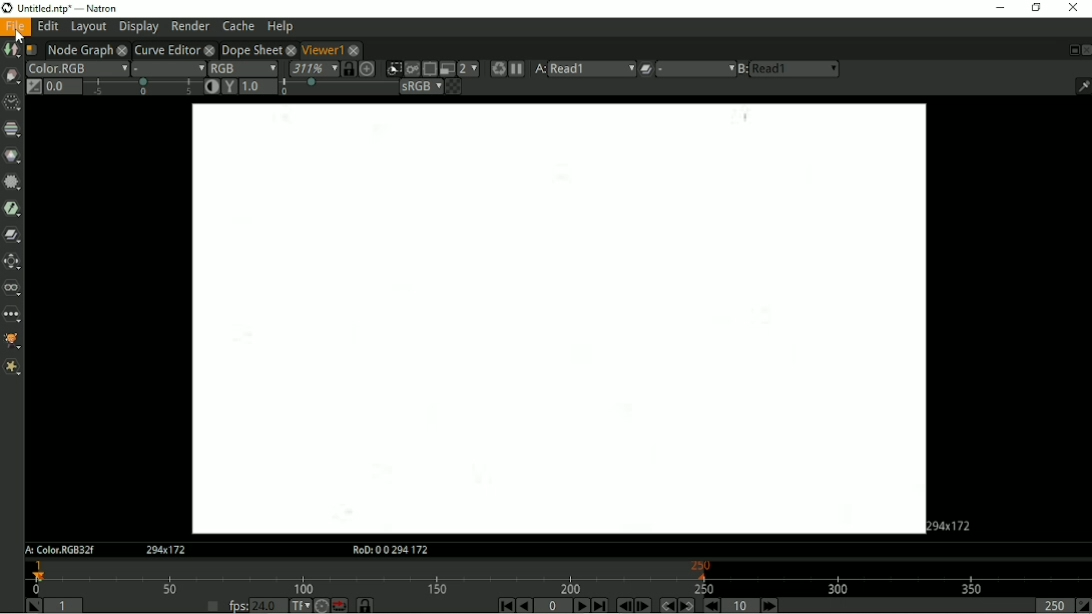 The width and height of the screenshot is (1092, 614). I want to click on Scale down rendered image, so click(470, 68).